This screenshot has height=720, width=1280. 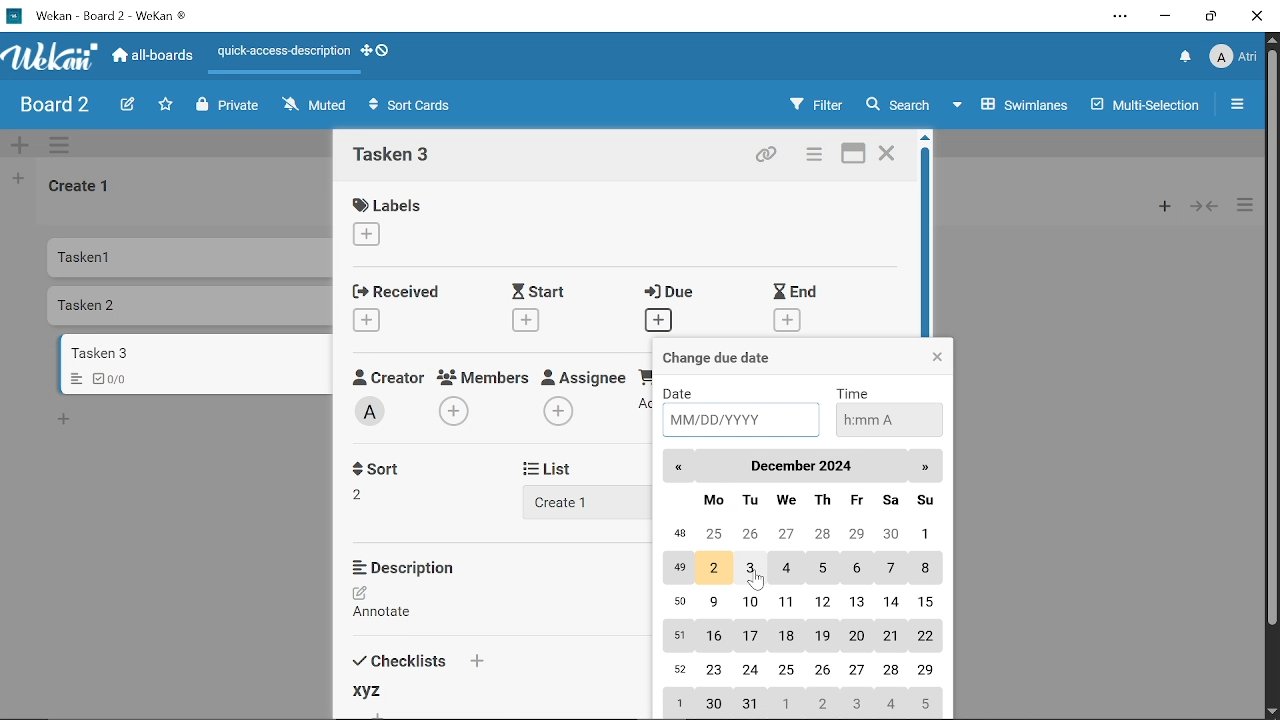 I want to click on Minimize, so click(x=1166, y=17).